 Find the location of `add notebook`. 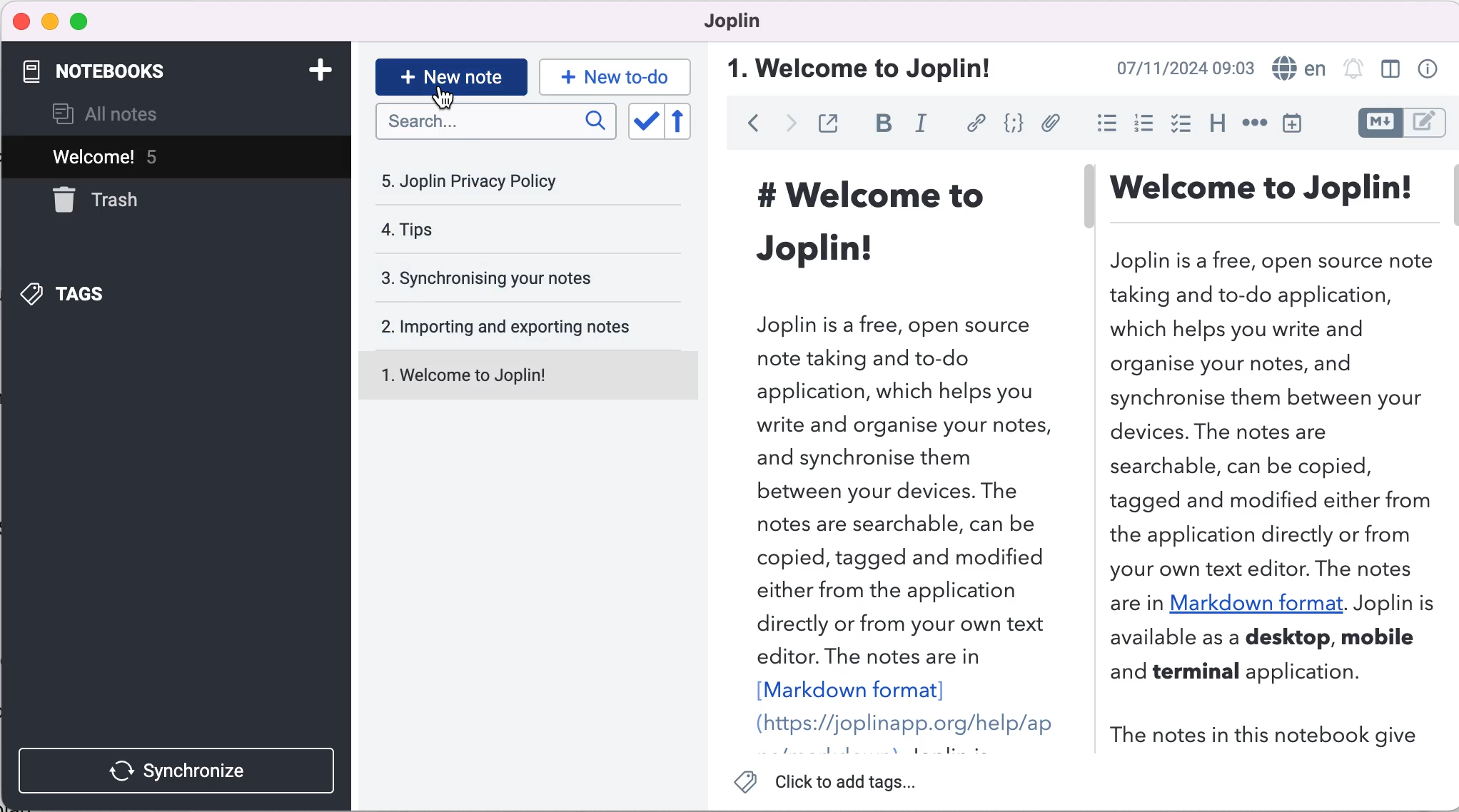

add notebook is located at coordinates (320, 71).